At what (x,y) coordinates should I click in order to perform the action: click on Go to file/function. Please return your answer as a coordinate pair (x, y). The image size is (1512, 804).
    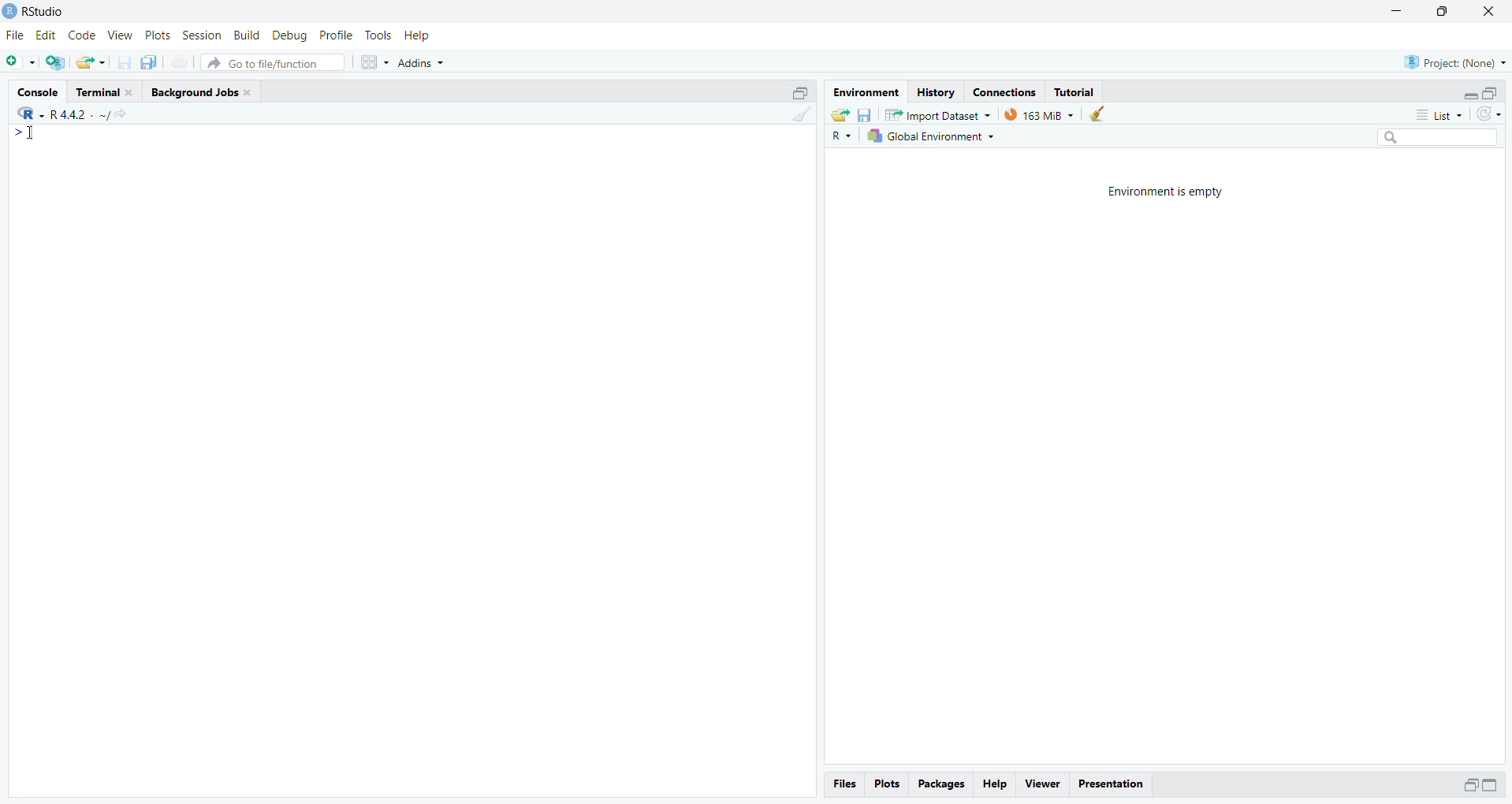
    Looking at the image, I should click on (271, 63).